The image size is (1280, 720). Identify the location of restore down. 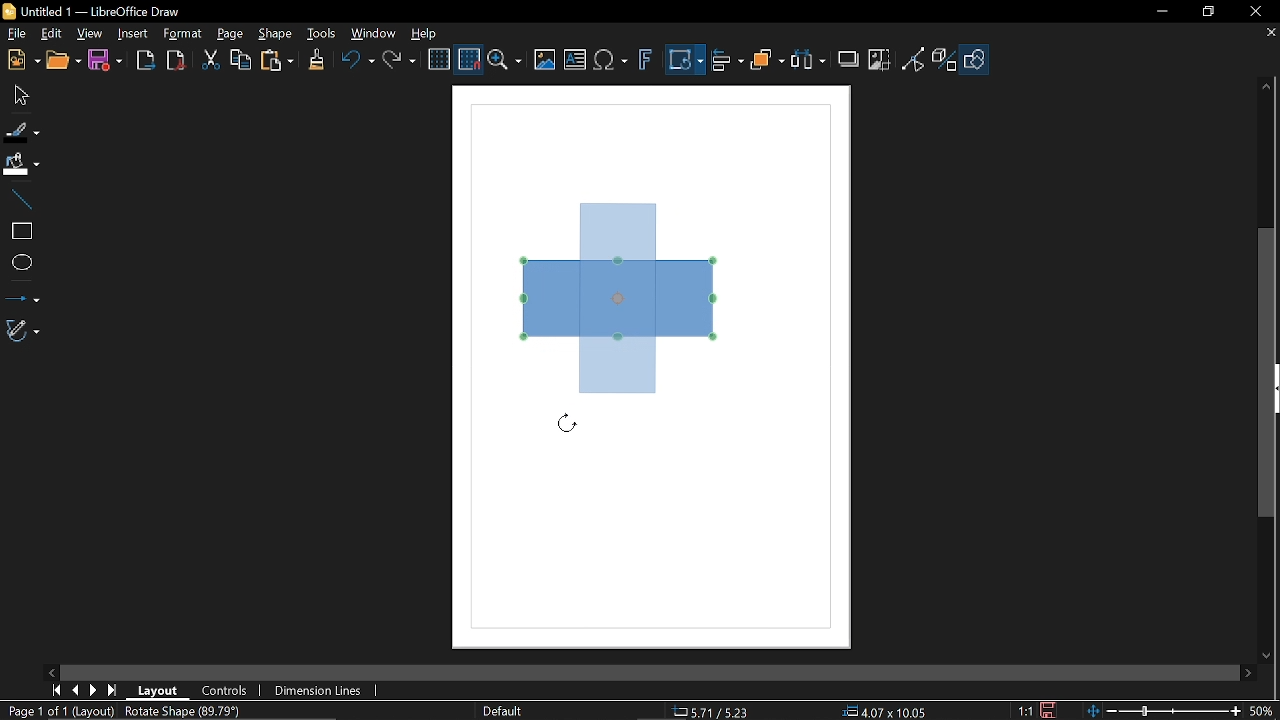
(1206, 13).